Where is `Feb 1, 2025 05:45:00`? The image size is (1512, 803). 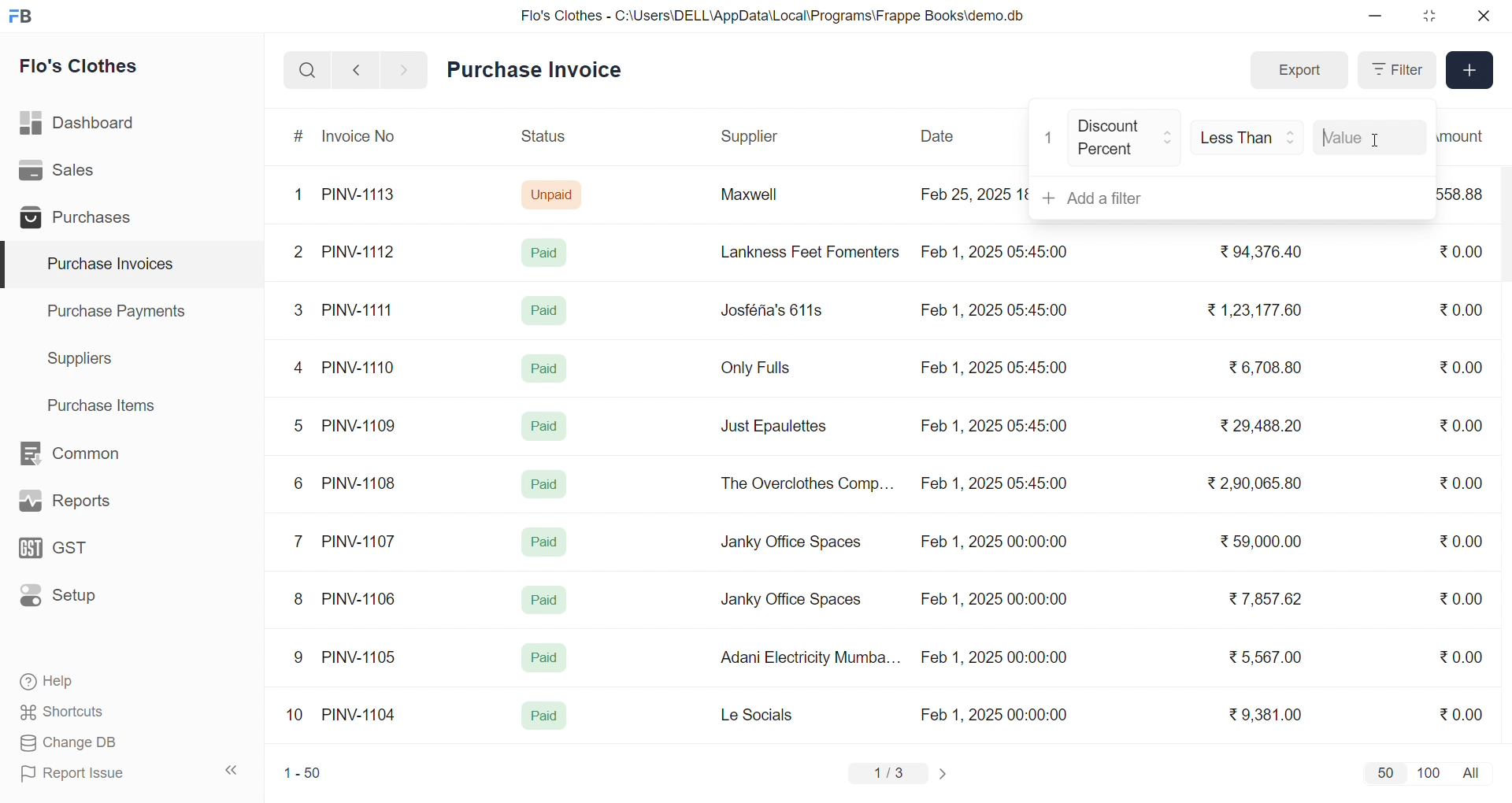 Feb 1, 2025 05:45:00 is located at coordinates (993, 426).